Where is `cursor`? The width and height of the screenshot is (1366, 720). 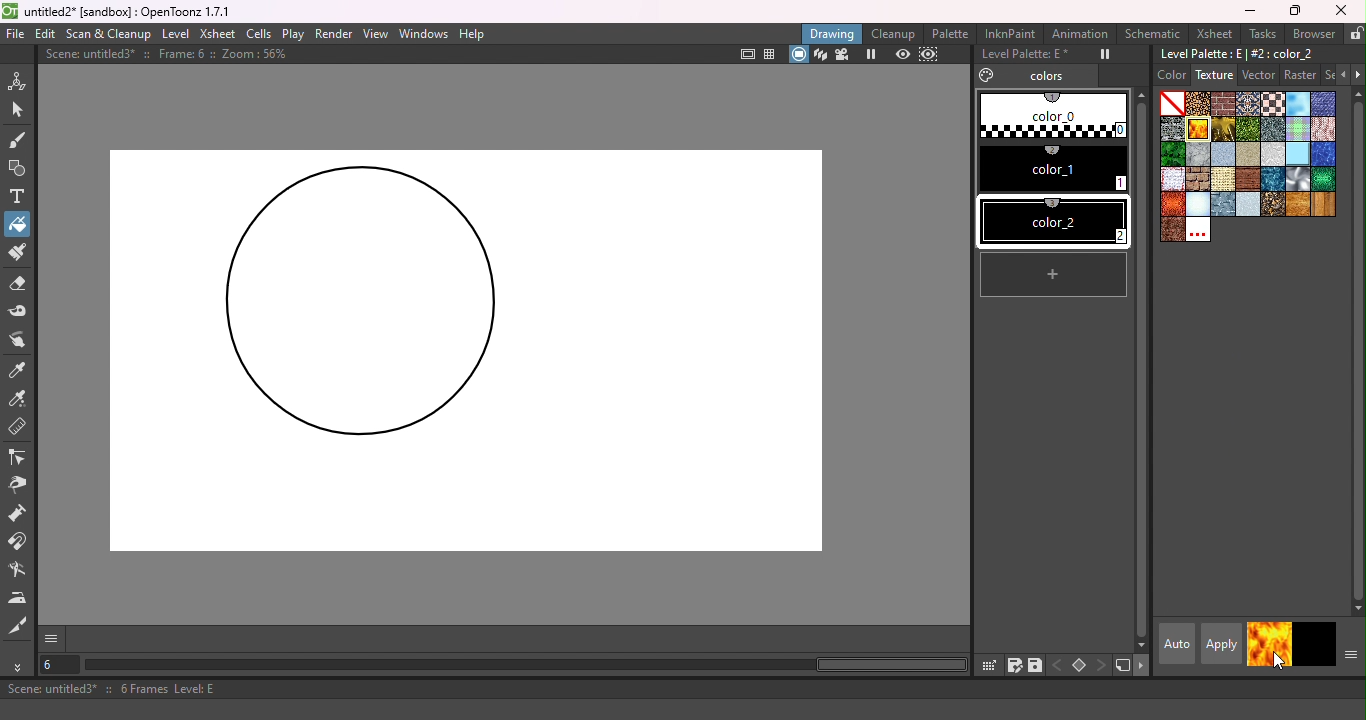
cursor is located at coordinates (1279, 663).